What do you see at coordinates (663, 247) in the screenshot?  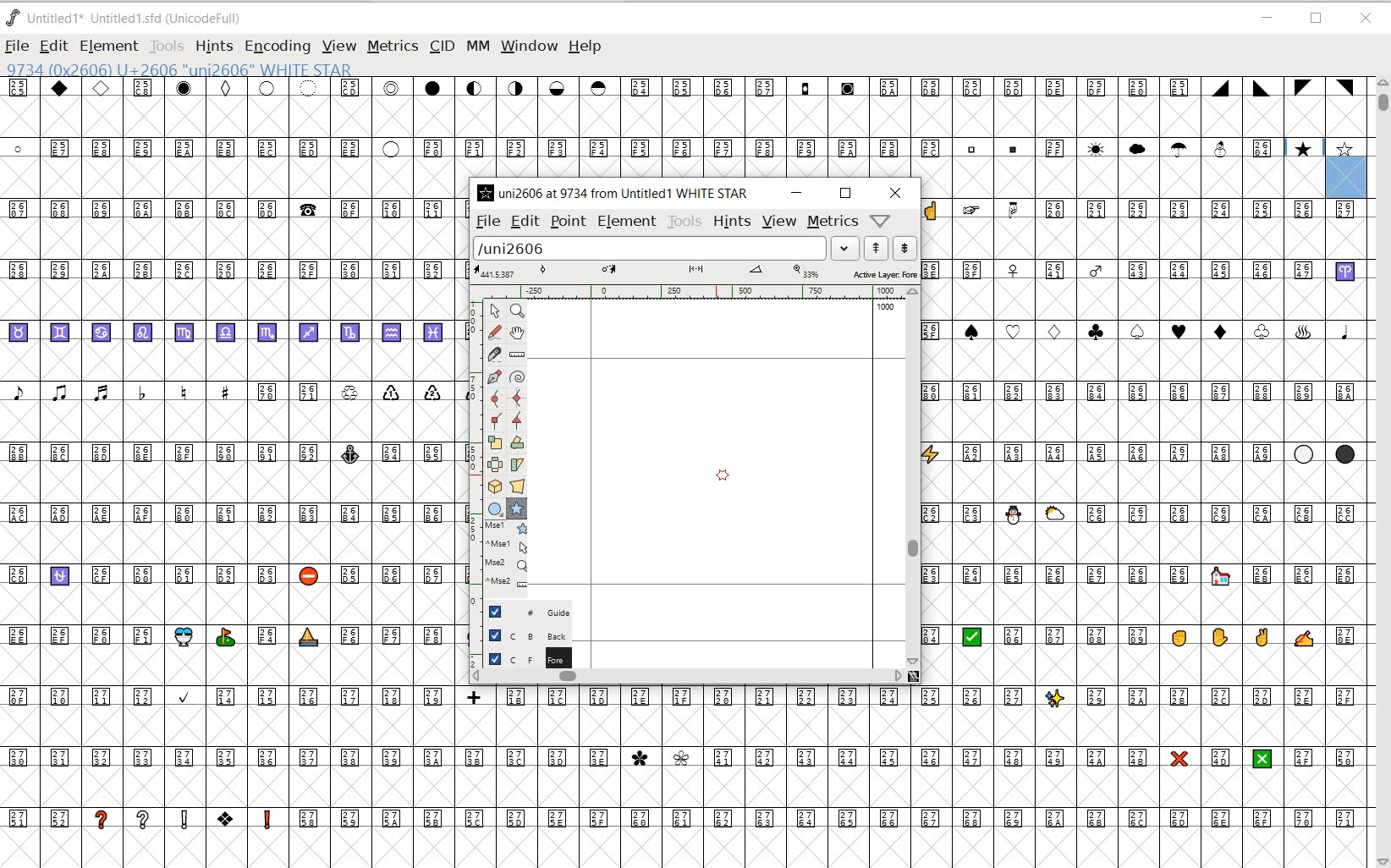 I see `load word list` at bounding box center [663, 247].